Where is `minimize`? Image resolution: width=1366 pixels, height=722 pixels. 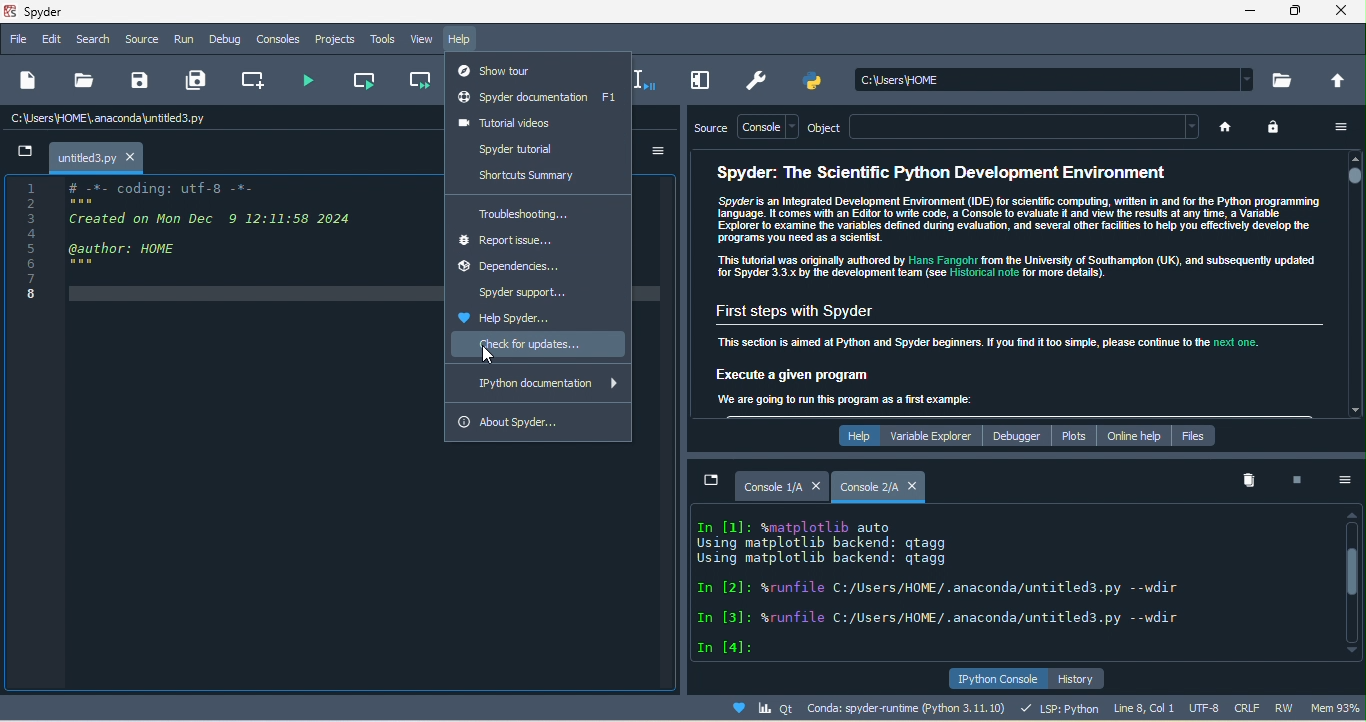
minimize is located at coordinates (712, 481).